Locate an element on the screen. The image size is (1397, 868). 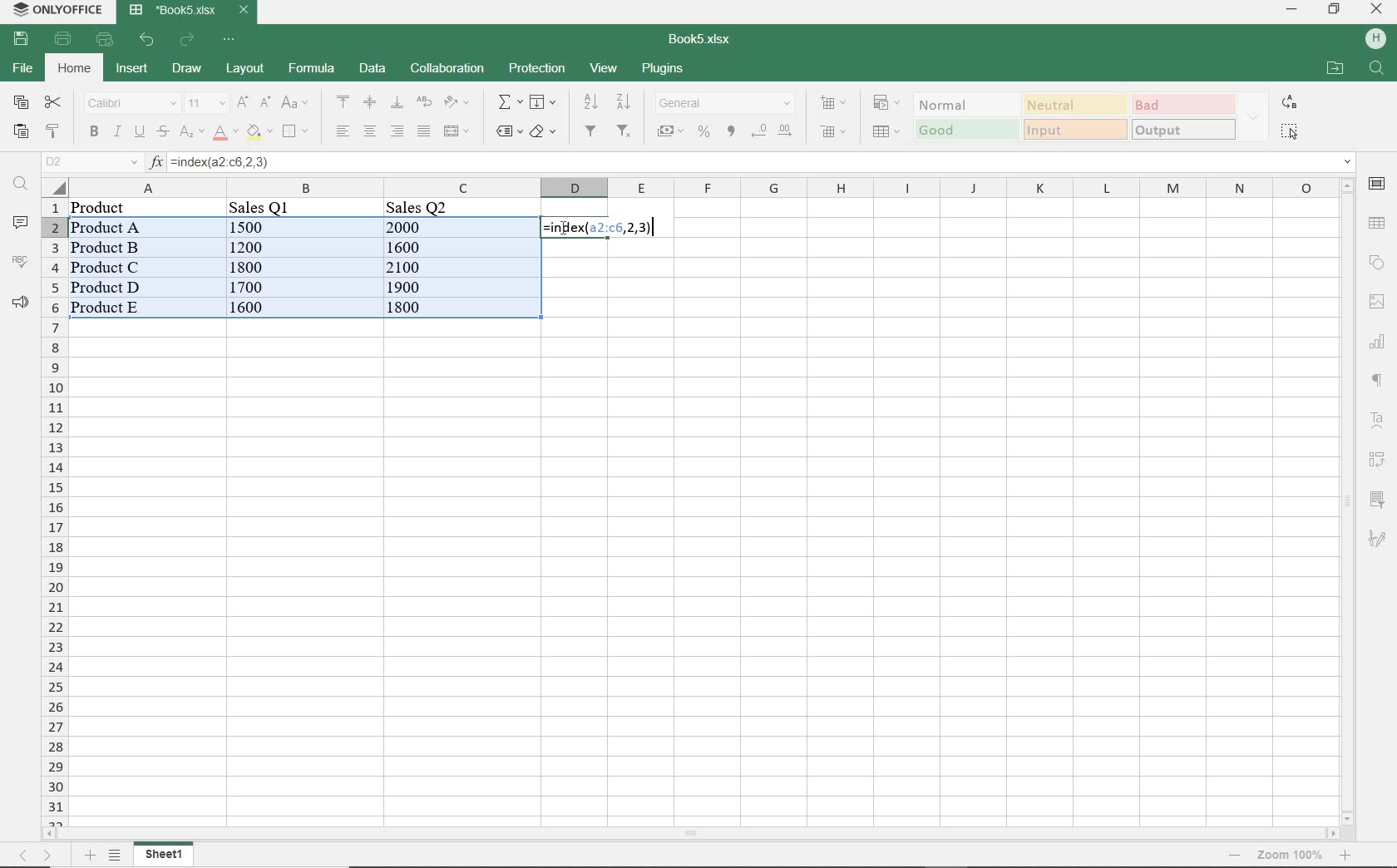
customize quick access toolbar is located at coordinates (227, 40).